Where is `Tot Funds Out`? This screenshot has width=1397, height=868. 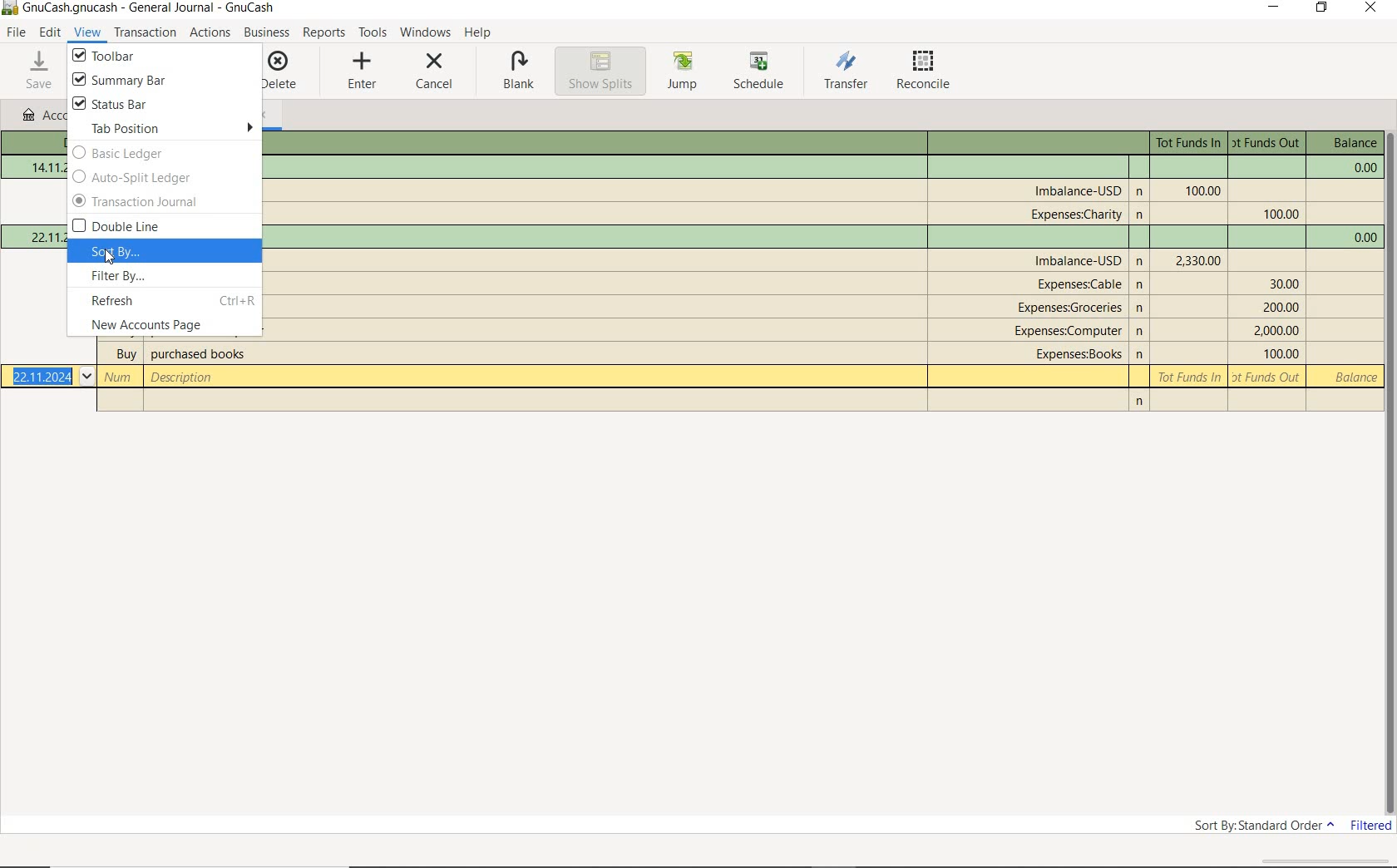 Tot Funds Out is located at coordinates (1268, 377).